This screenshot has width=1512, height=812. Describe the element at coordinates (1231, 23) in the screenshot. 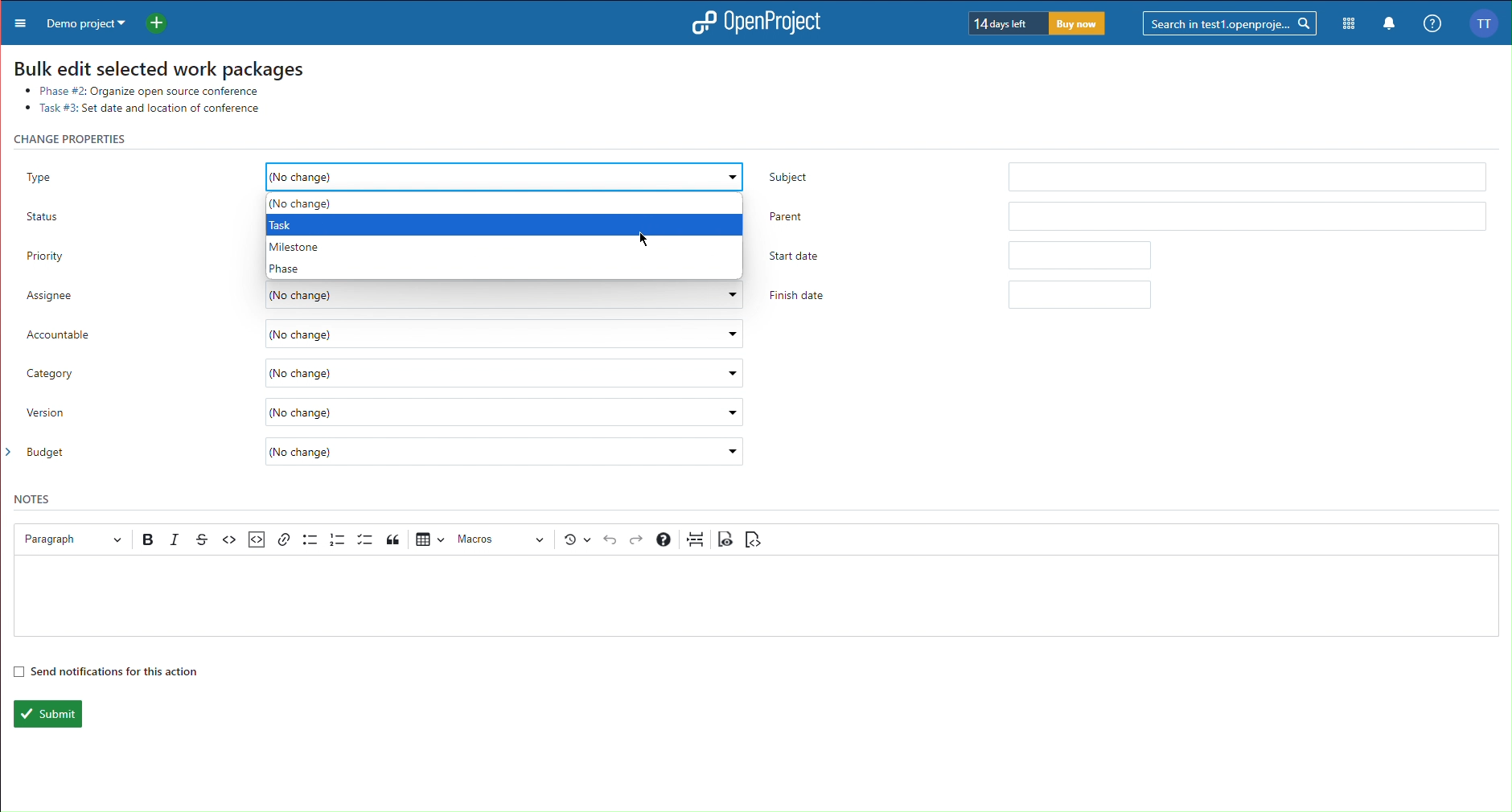

I see `Search bar` at that location.